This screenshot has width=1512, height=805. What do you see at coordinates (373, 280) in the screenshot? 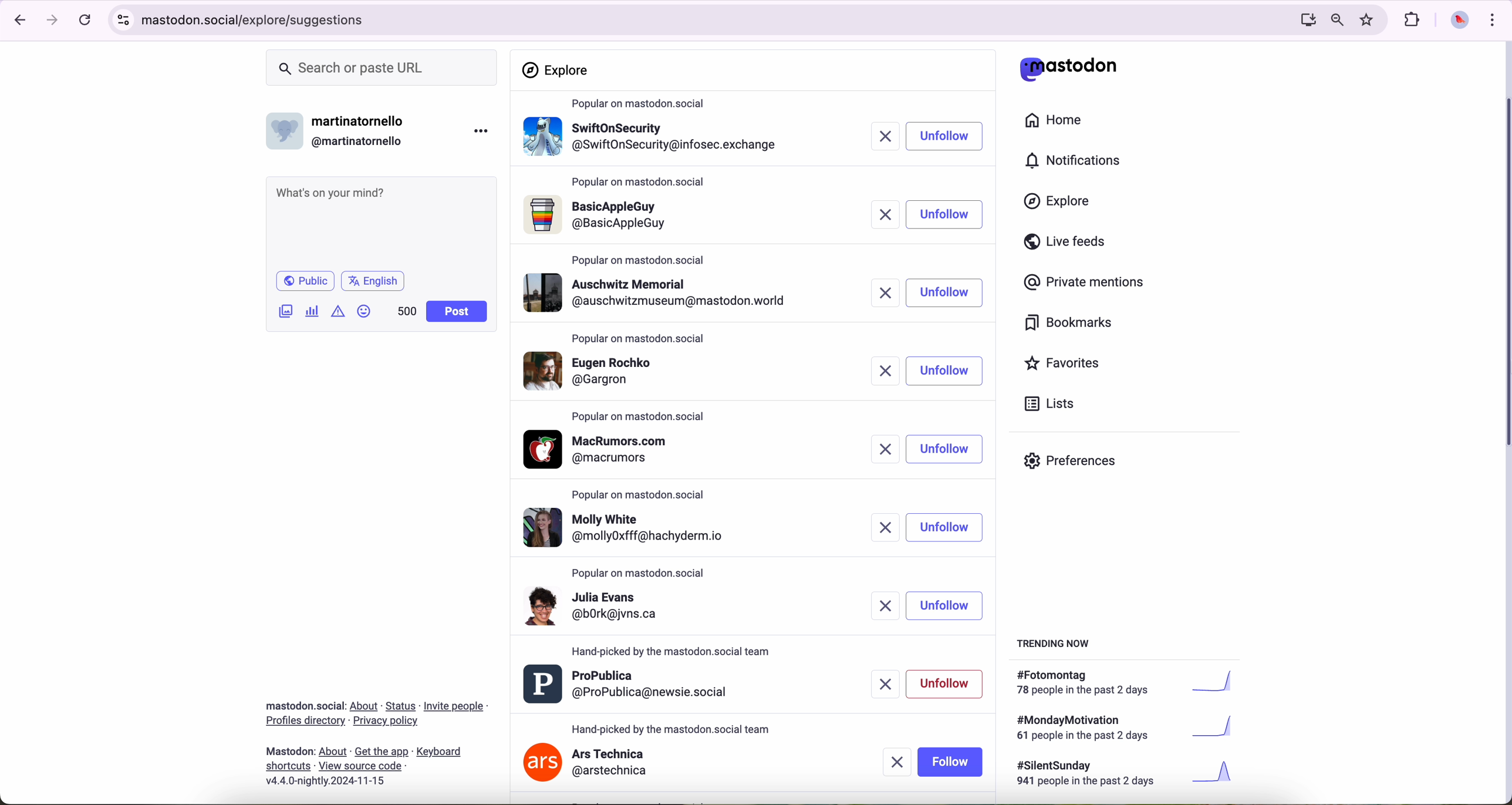
I see `language` at bounding box center [373, 280].